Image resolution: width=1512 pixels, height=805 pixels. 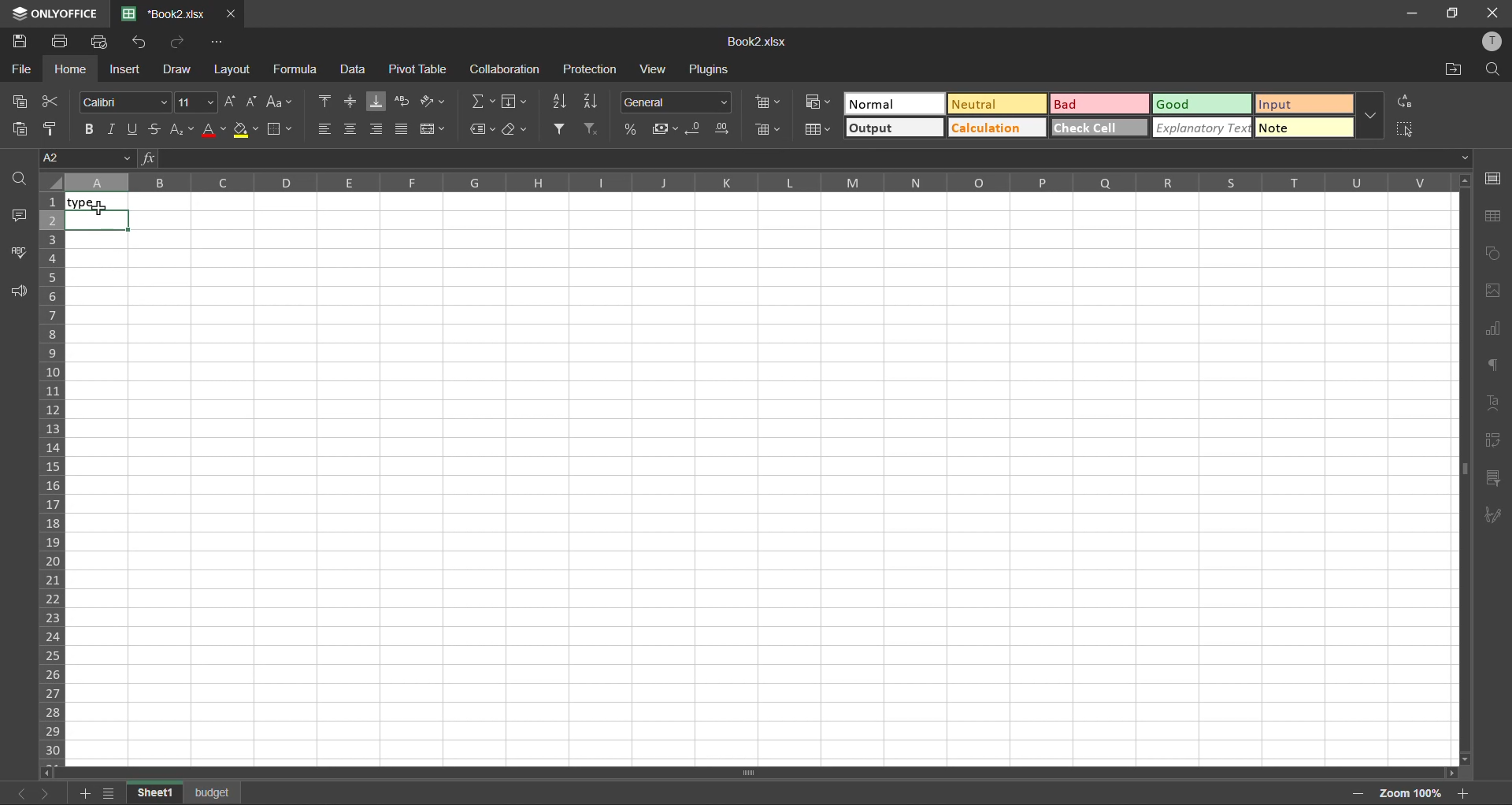 What do you see at coordinates (1495, 256) in the screenshot?
I see `shapes` at bounding box center [1495, 256].